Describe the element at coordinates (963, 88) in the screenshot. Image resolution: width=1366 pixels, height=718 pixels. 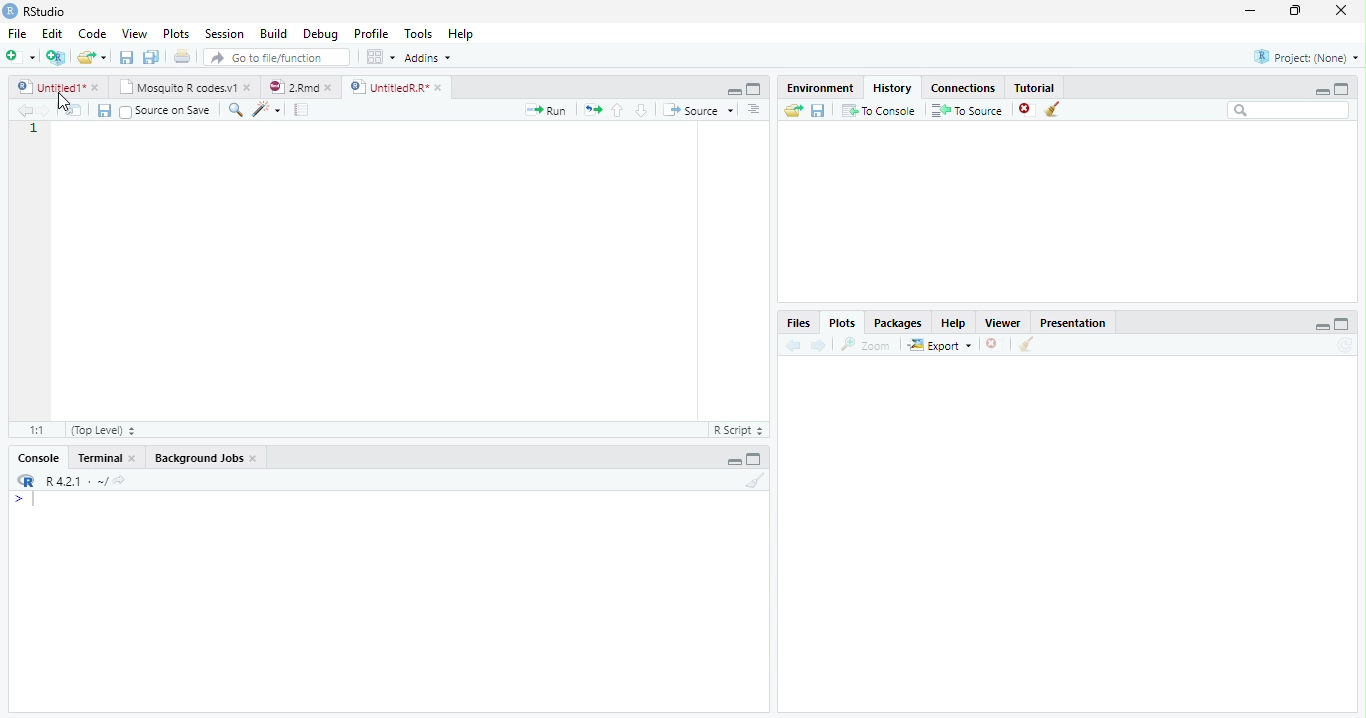
I see `Connections` at that location.